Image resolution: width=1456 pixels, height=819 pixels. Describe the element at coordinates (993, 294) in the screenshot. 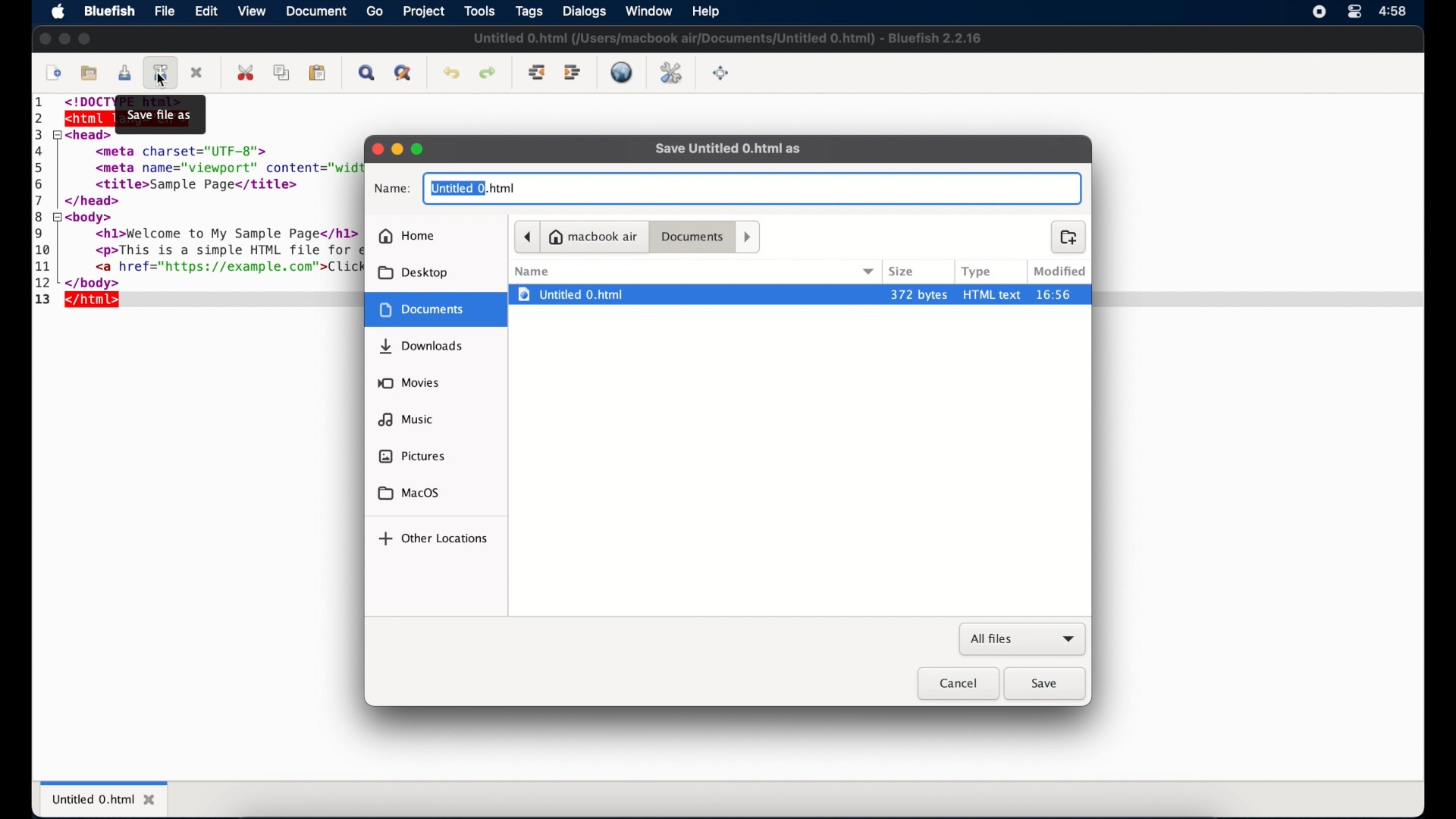

I see `html text` at that location.